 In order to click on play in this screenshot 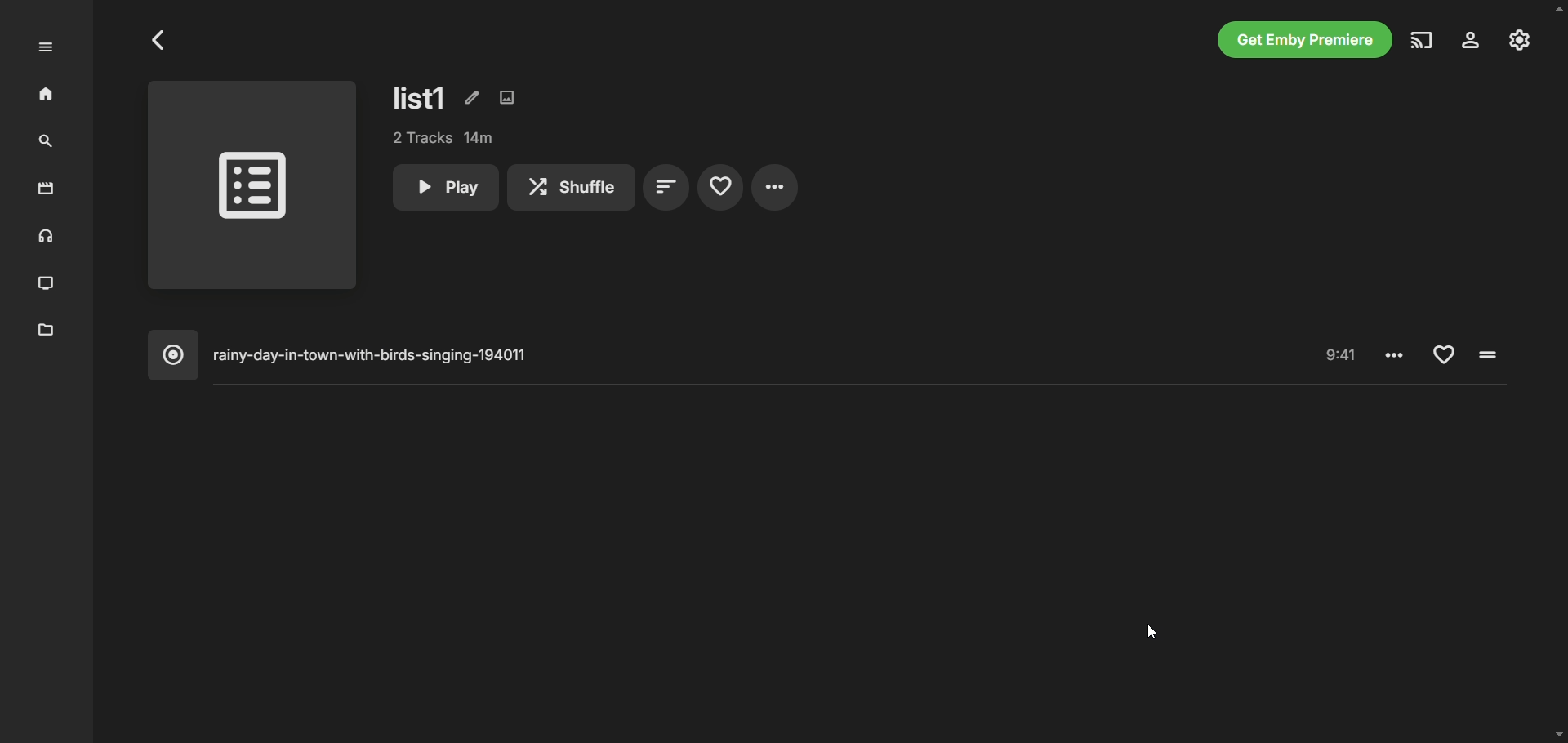, I will do `click(444, 187)`.